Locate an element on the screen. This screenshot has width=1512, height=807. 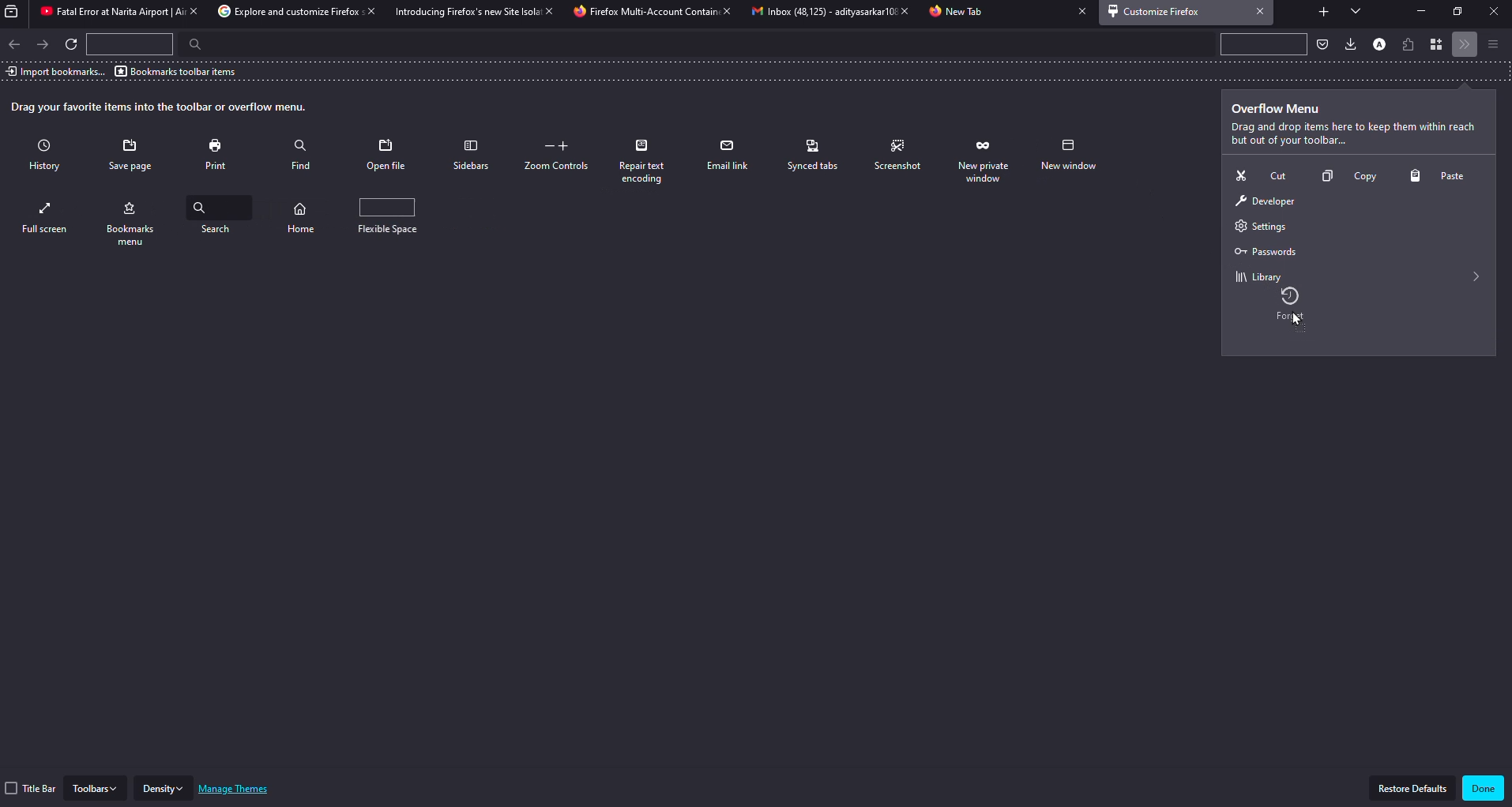
copy is located at coordinates (1344, 178).